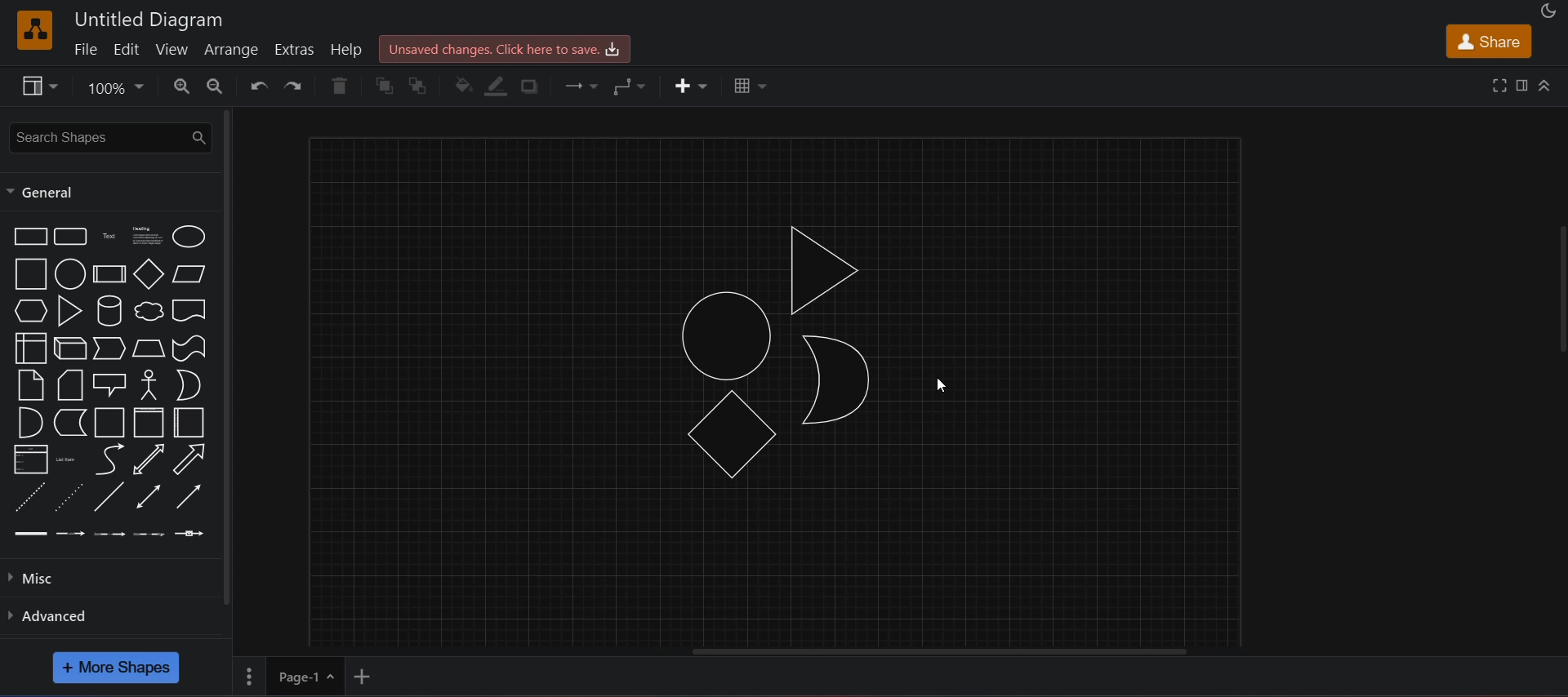 Image resolution: width=1568 pixels, height=697 pixels. Describe the element at coordinates (72, 238) in the screenshot. I see `rounded rectangle` at that location.